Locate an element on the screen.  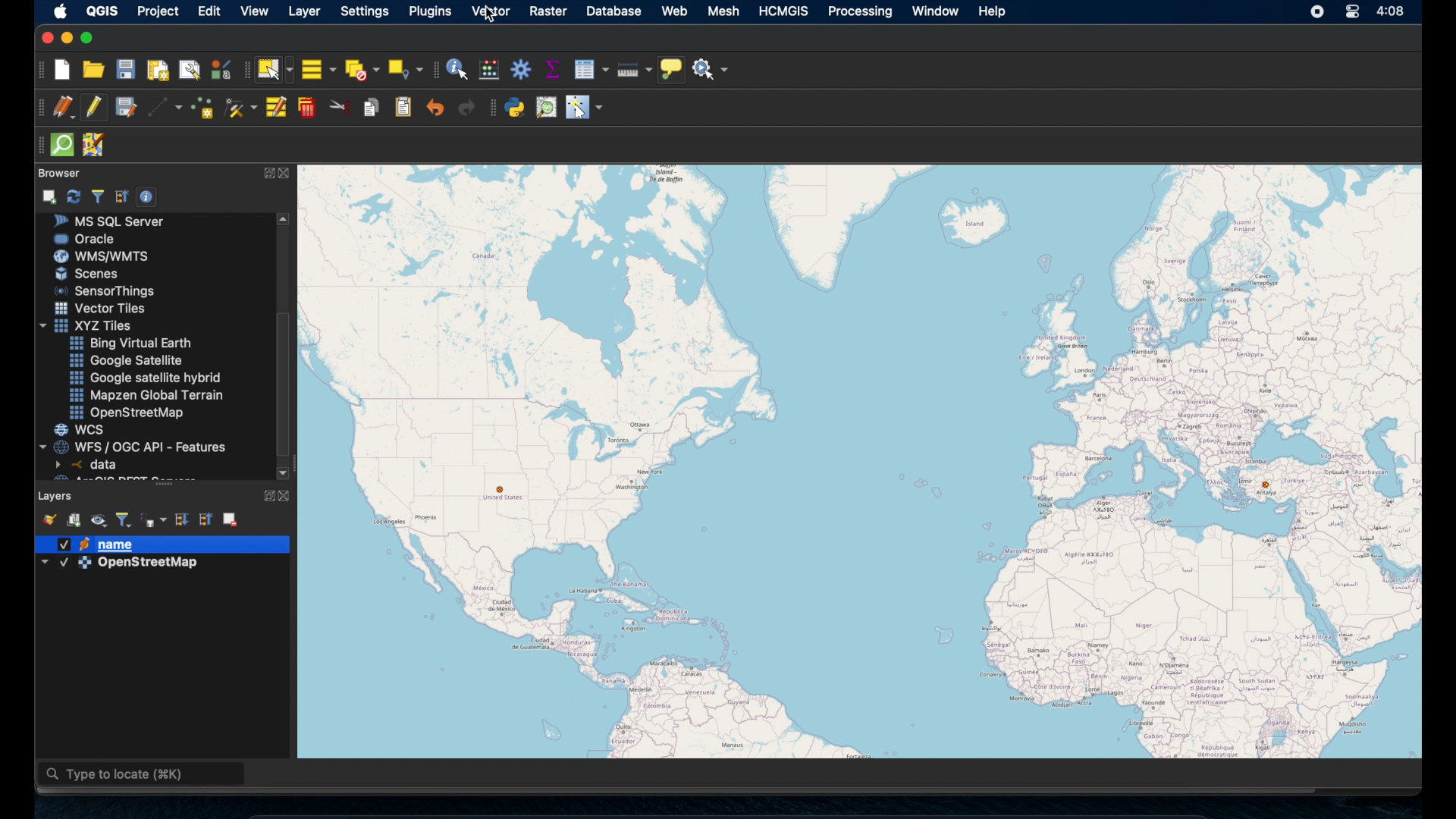
josh remote is located at coordinates (97, 146).